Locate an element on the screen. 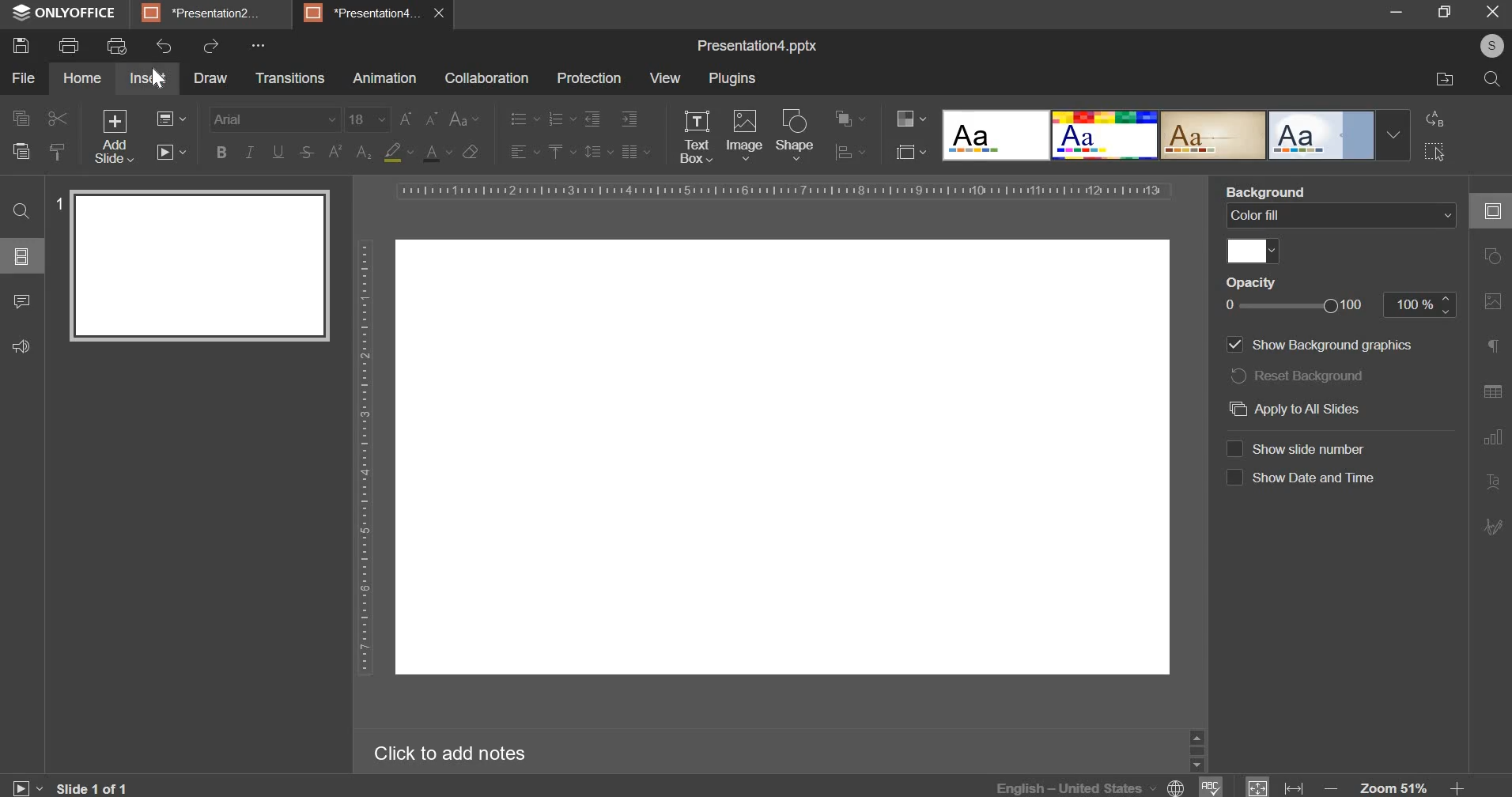  paragraph settings is located at coordinates (1498, 345).